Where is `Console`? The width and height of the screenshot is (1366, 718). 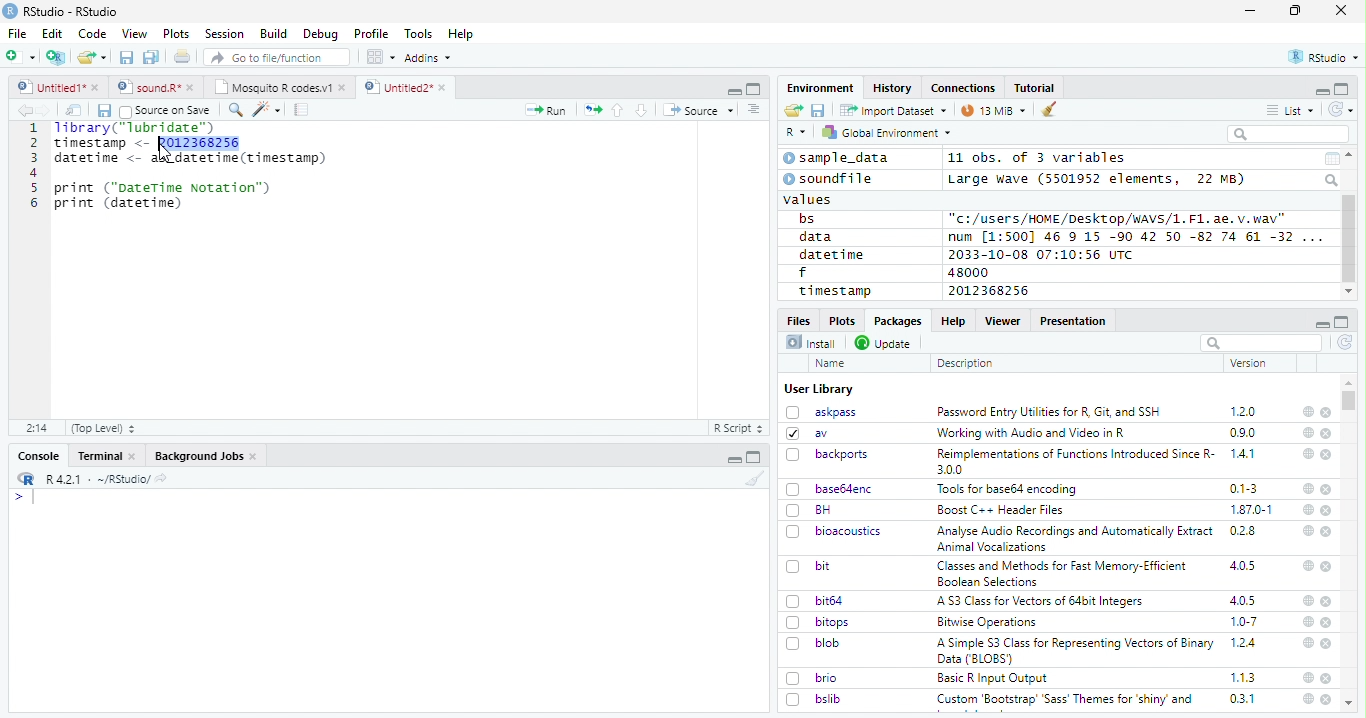
Console is located at coordinates (38, 456).